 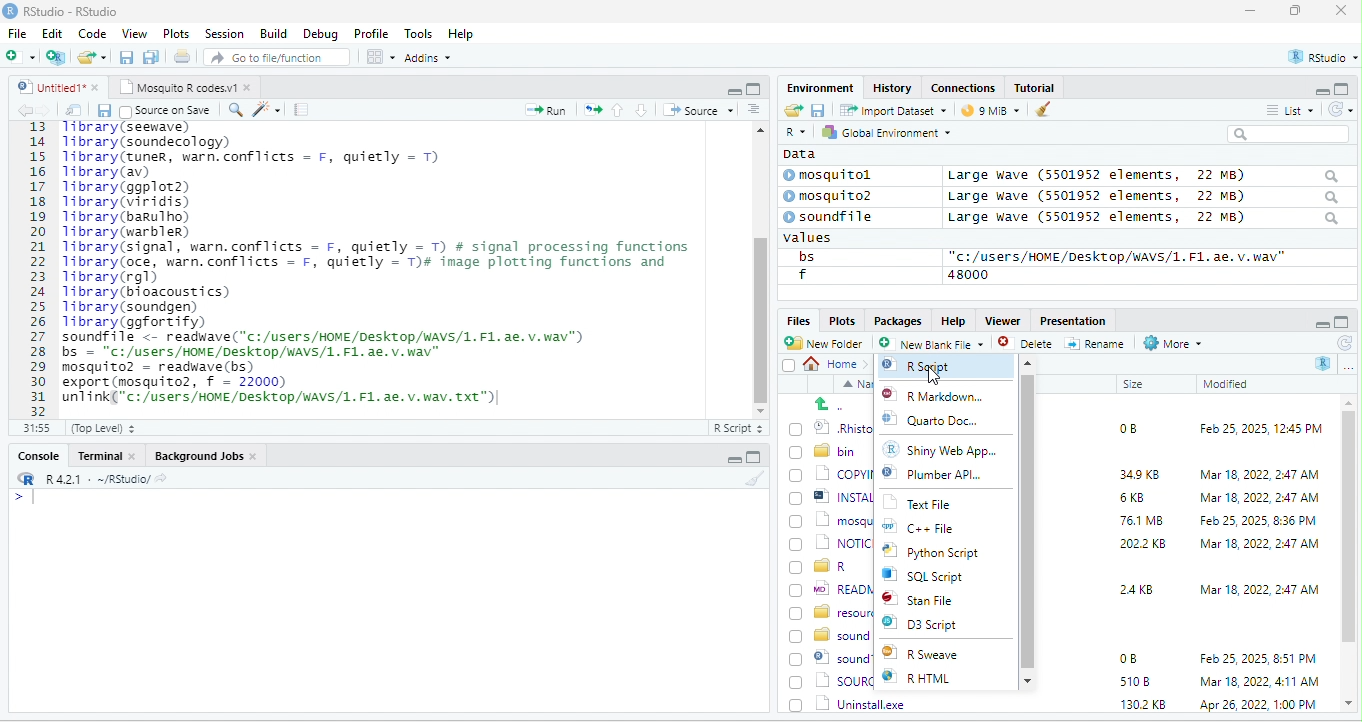 What do you see at coordinates (1096, 343) in the screenshot?
I see `=] Rename` at bounding box center [1096, 343].